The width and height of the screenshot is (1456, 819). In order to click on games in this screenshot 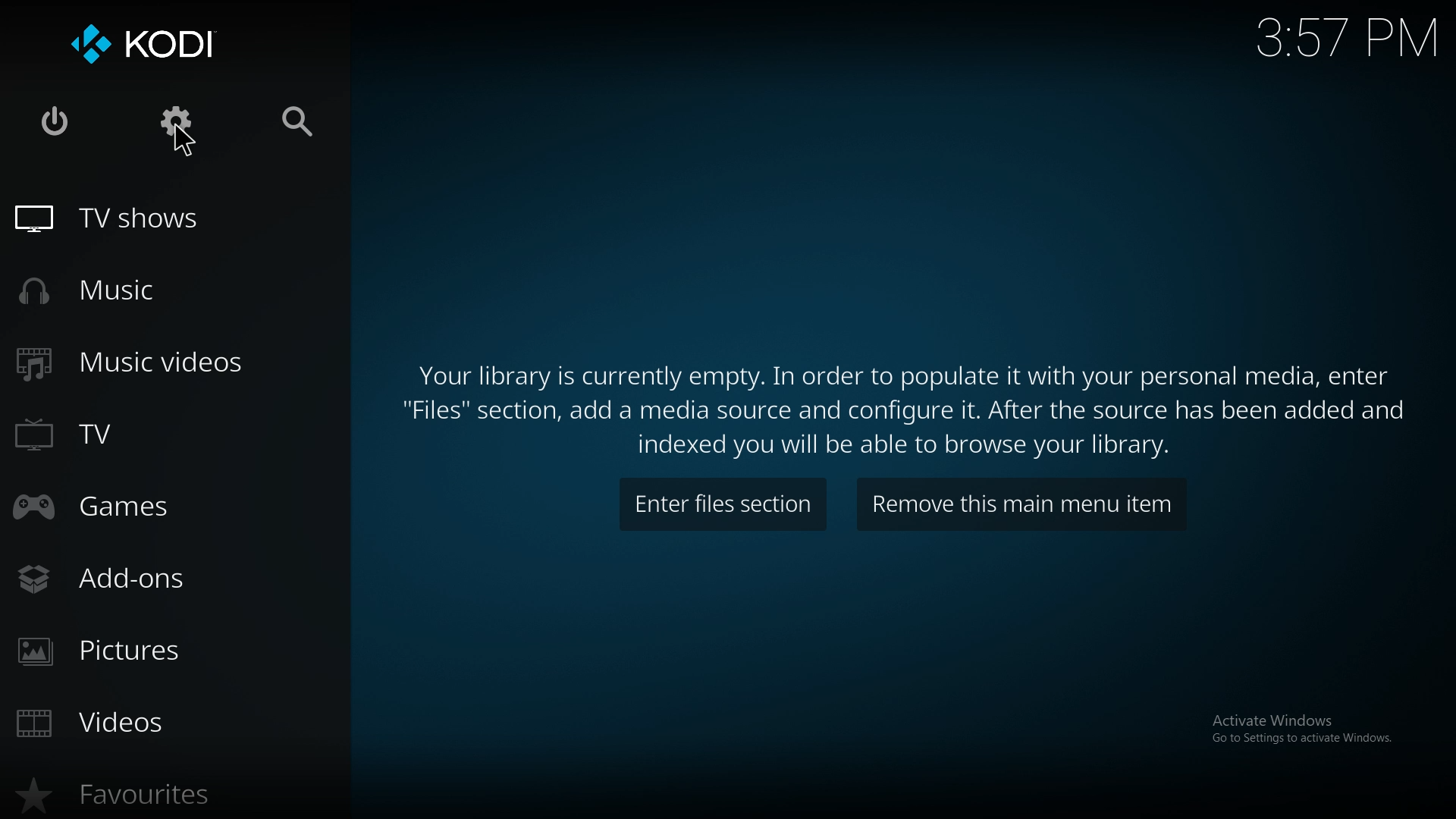, I will do `click(135, 503)`.